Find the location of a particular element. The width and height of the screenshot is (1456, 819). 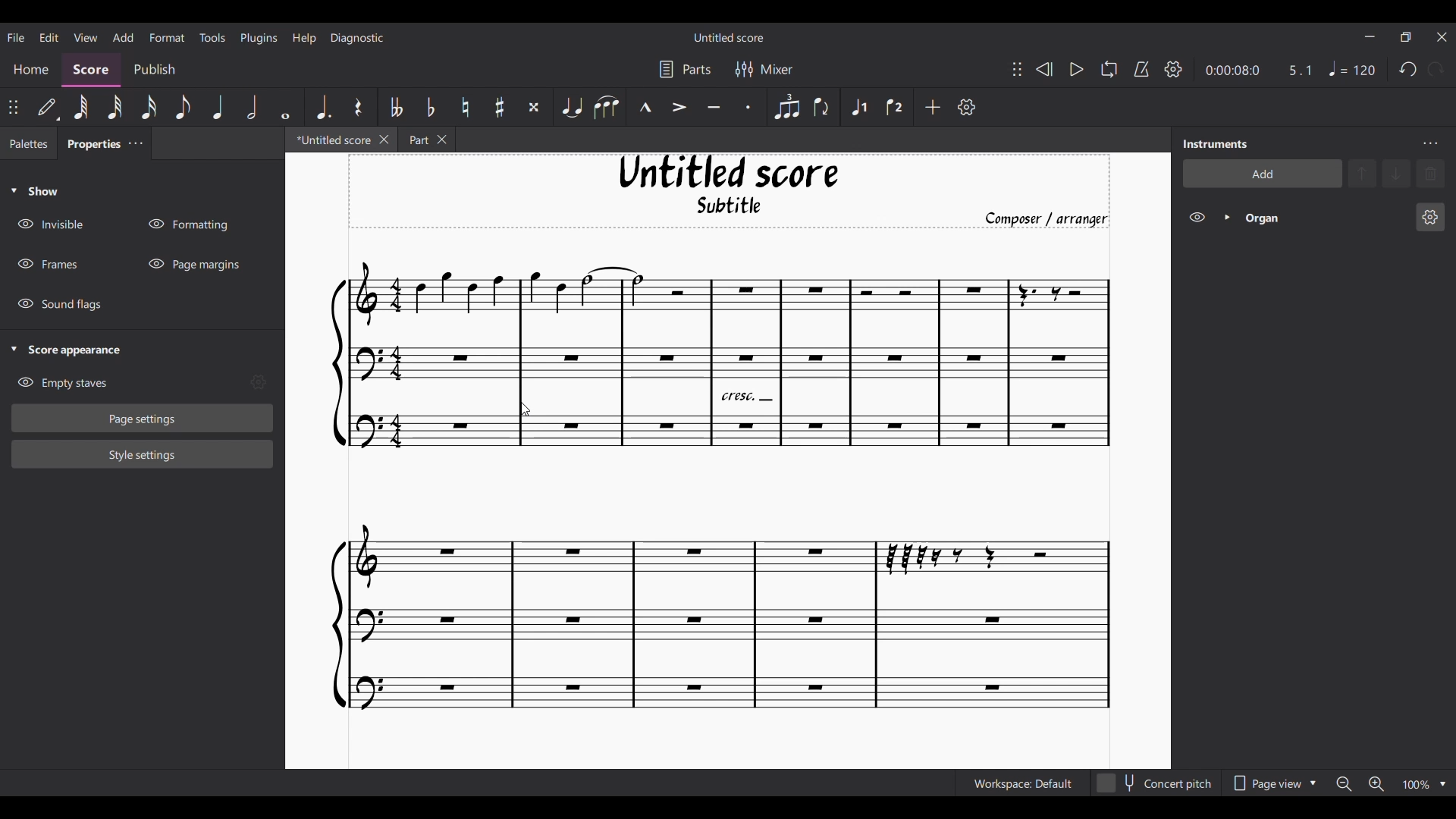

Tempo is located at coordinates (1352, 69).